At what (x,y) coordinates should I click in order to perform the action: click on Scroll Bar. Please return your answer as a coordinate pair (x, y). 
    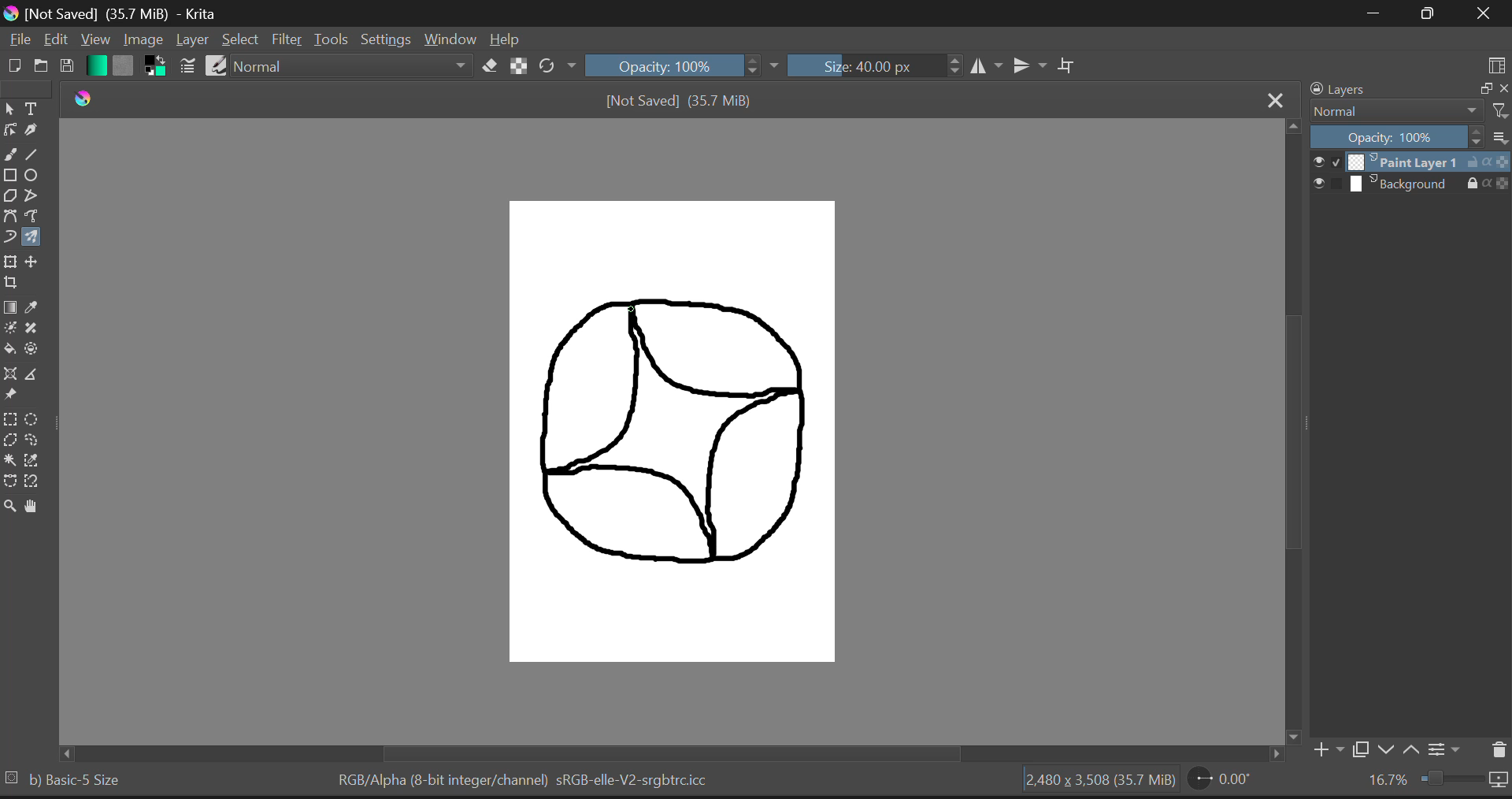
    Looking at the image, I should click on (658, 754).